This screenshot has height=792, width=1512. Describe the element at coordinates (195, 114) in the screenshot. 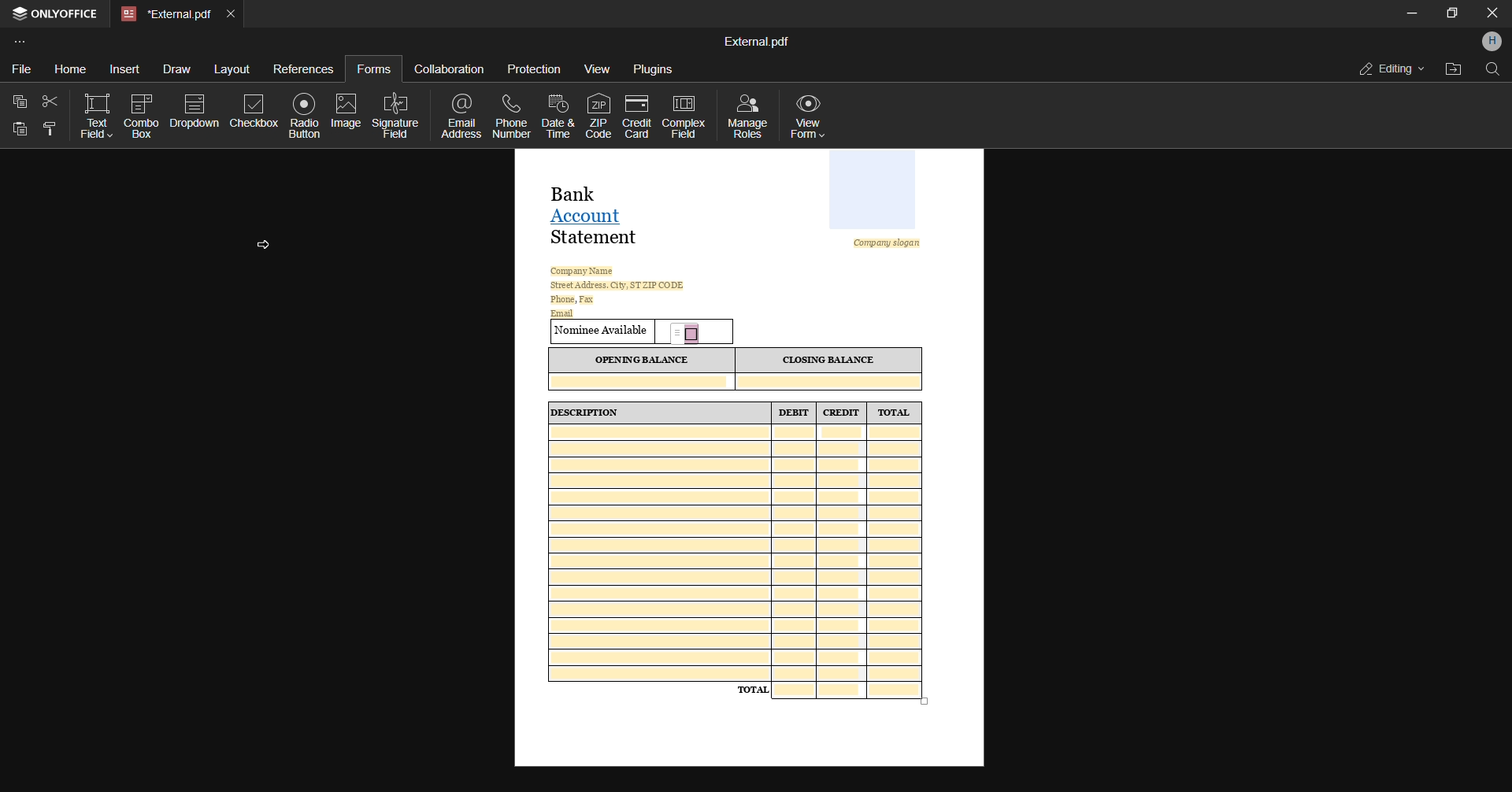

I see `dropdown` at that location.